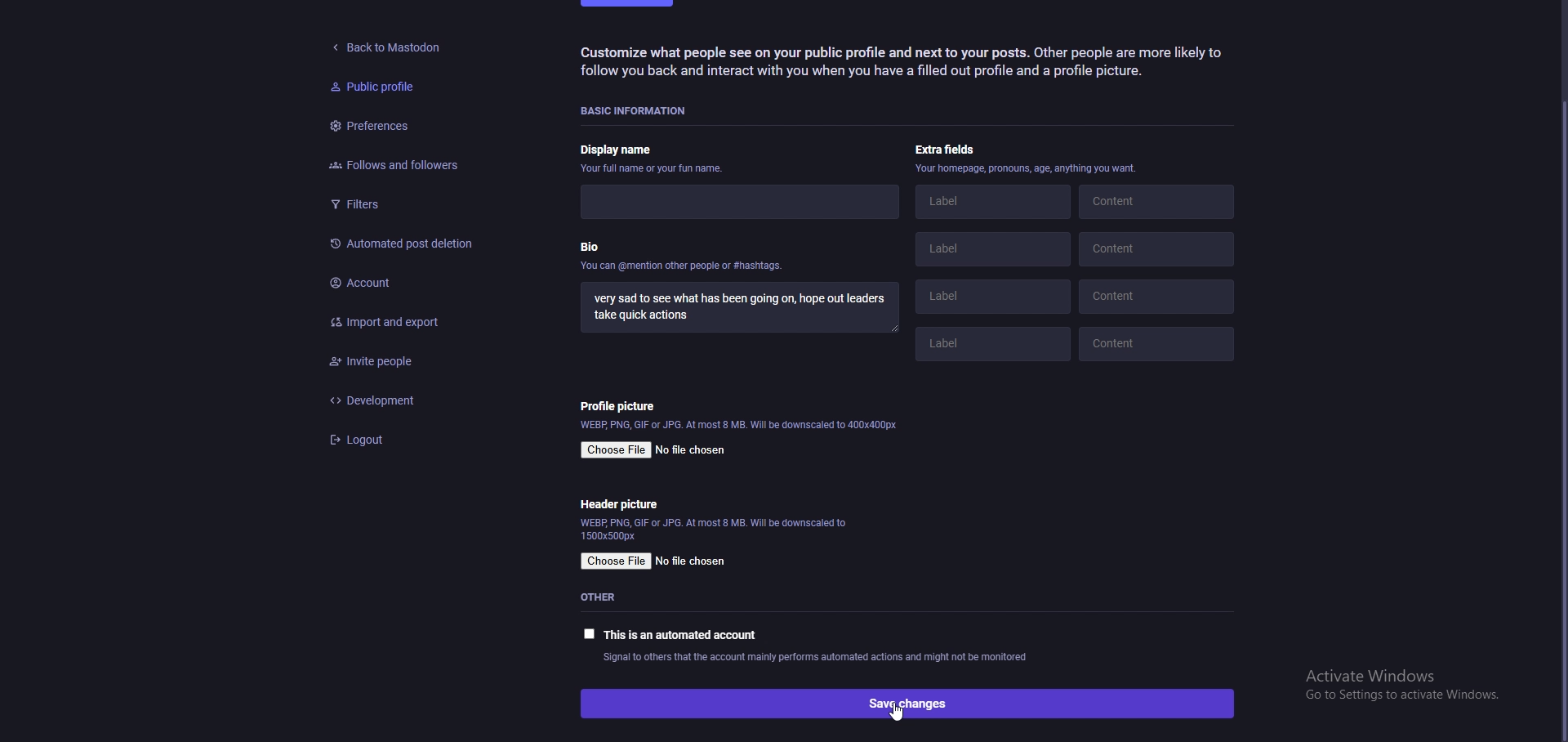  What do you see at coordinates (403, 242) in the screenshot?
I see `Automated post deletion` at bounding box center [403, 242].